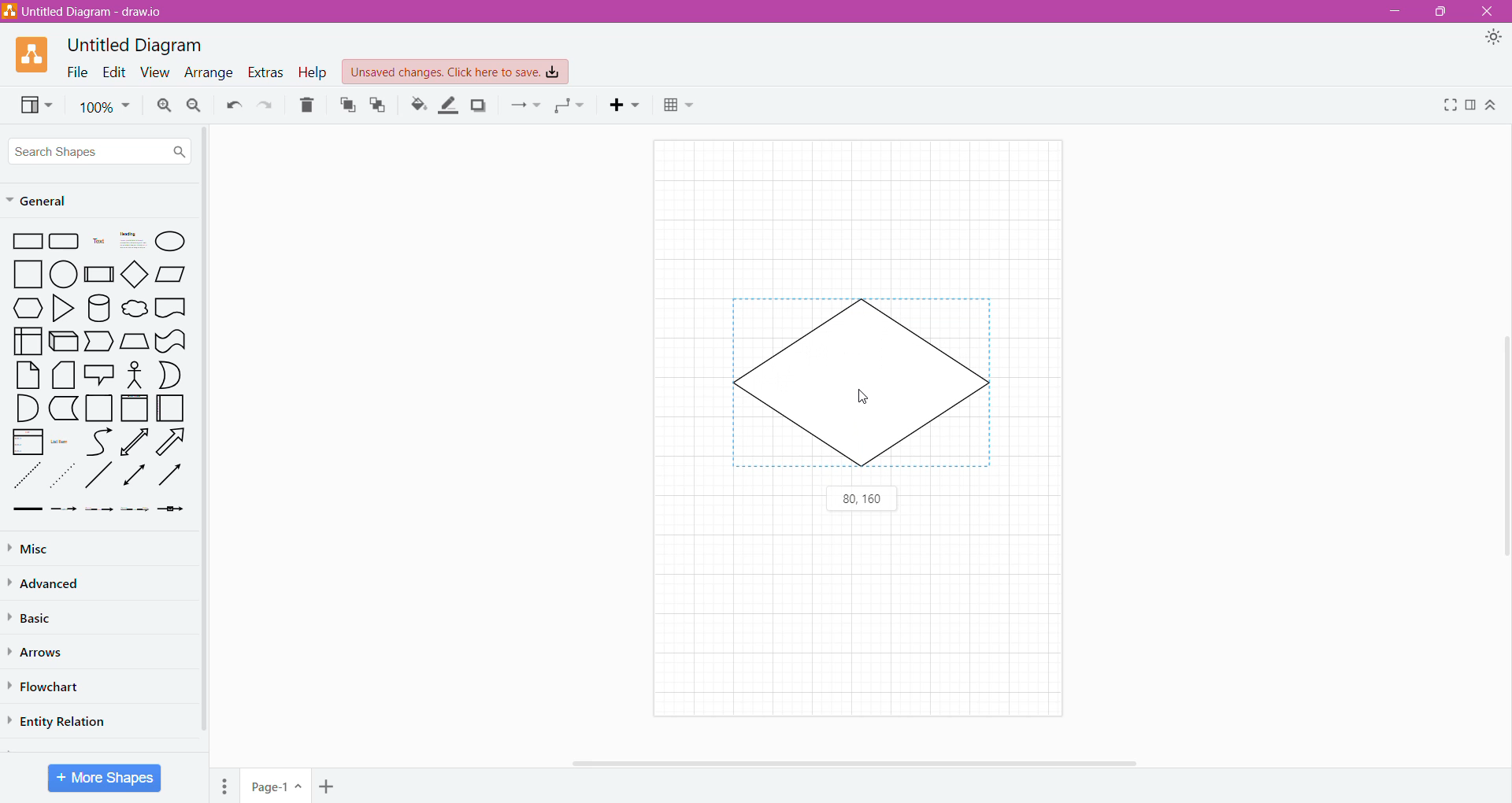 This screenshot has height=803, width=1512. What do you see at coordinates (172, 274) in the screenshot?
I see `Parallelogram` at bounding box center [172, 274].